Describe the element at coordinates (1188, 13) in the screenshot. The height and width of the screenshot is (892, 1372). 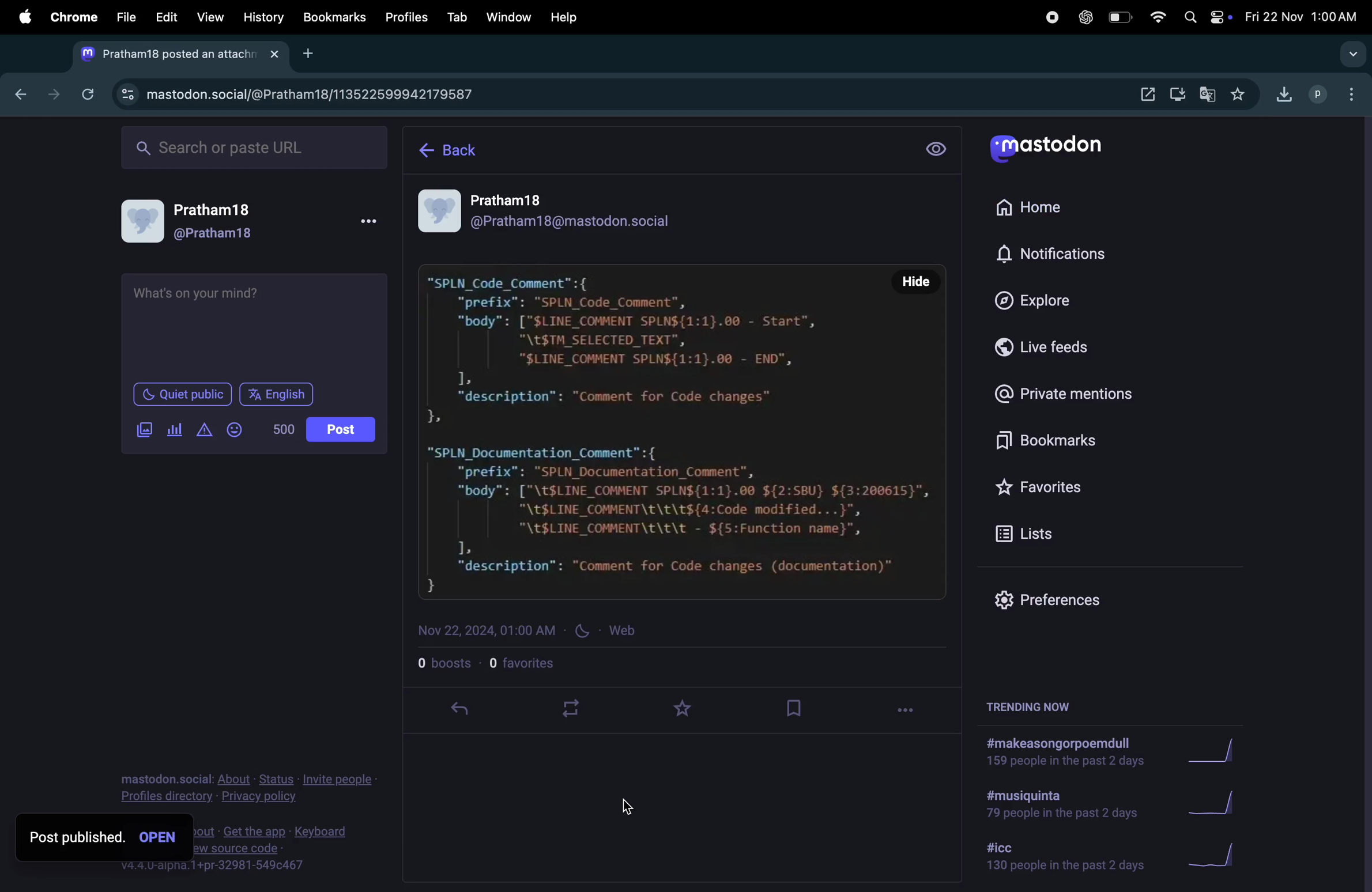
I see `spotlight search` at that location.